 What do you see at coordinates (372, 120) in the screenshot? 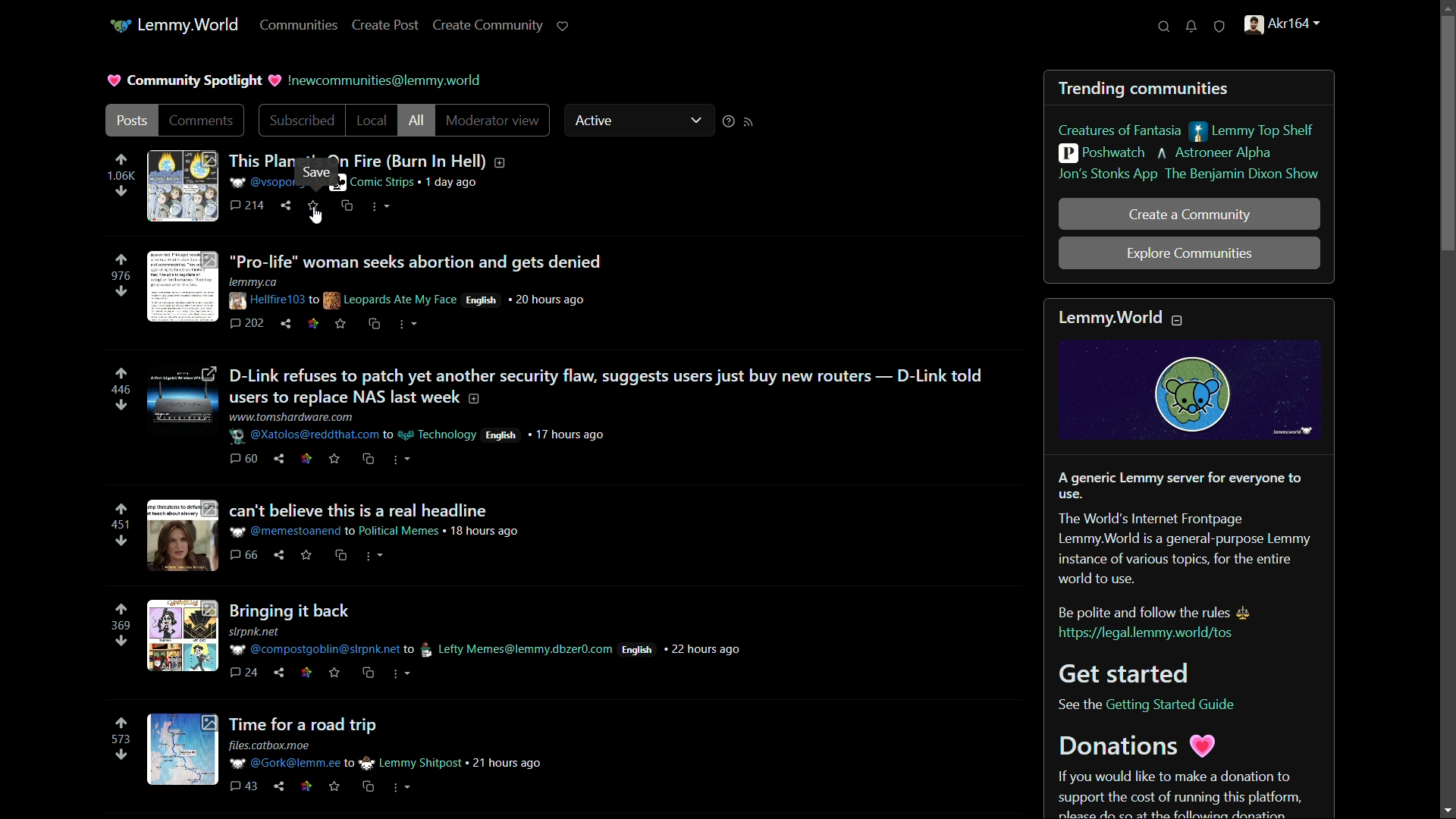
I see `local` at bounding box center [372, 120].